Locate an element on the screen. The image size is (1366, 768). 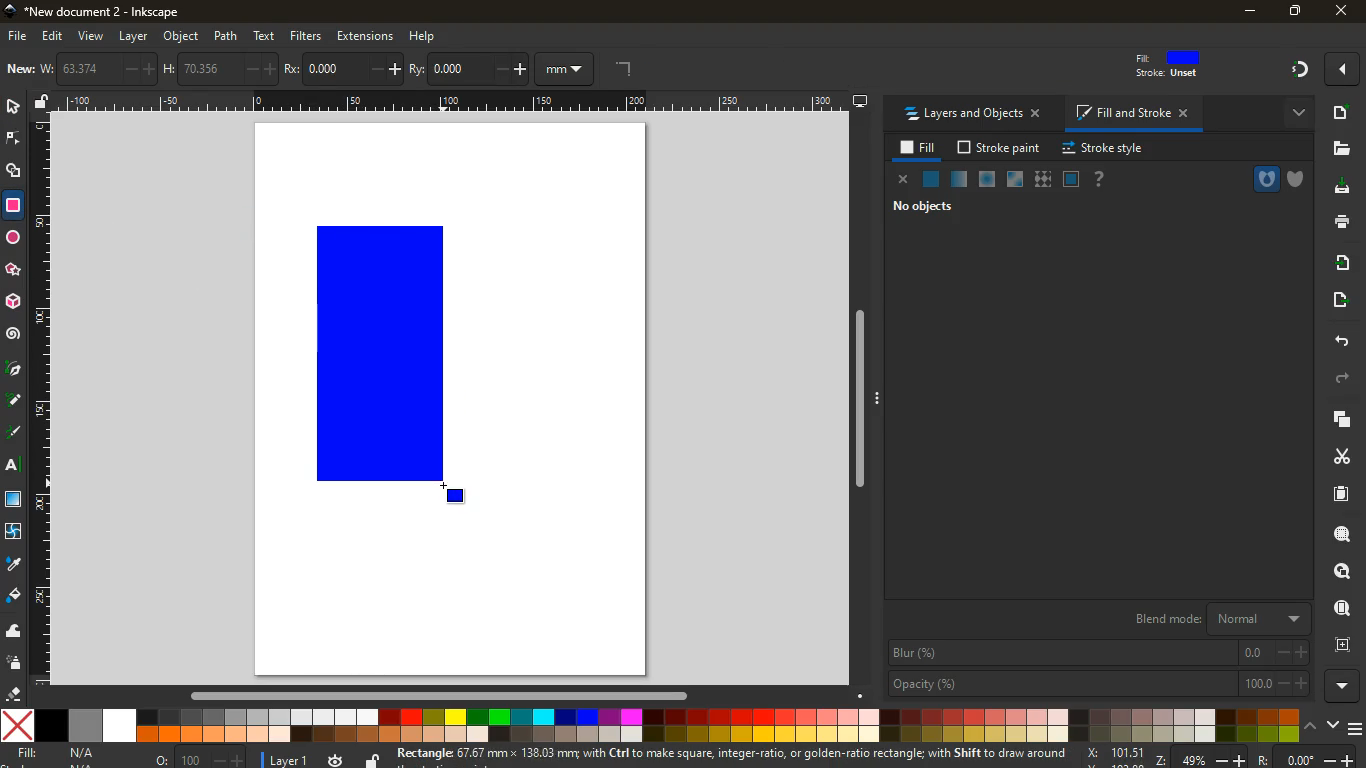
text is located at coordinates (15, 465).